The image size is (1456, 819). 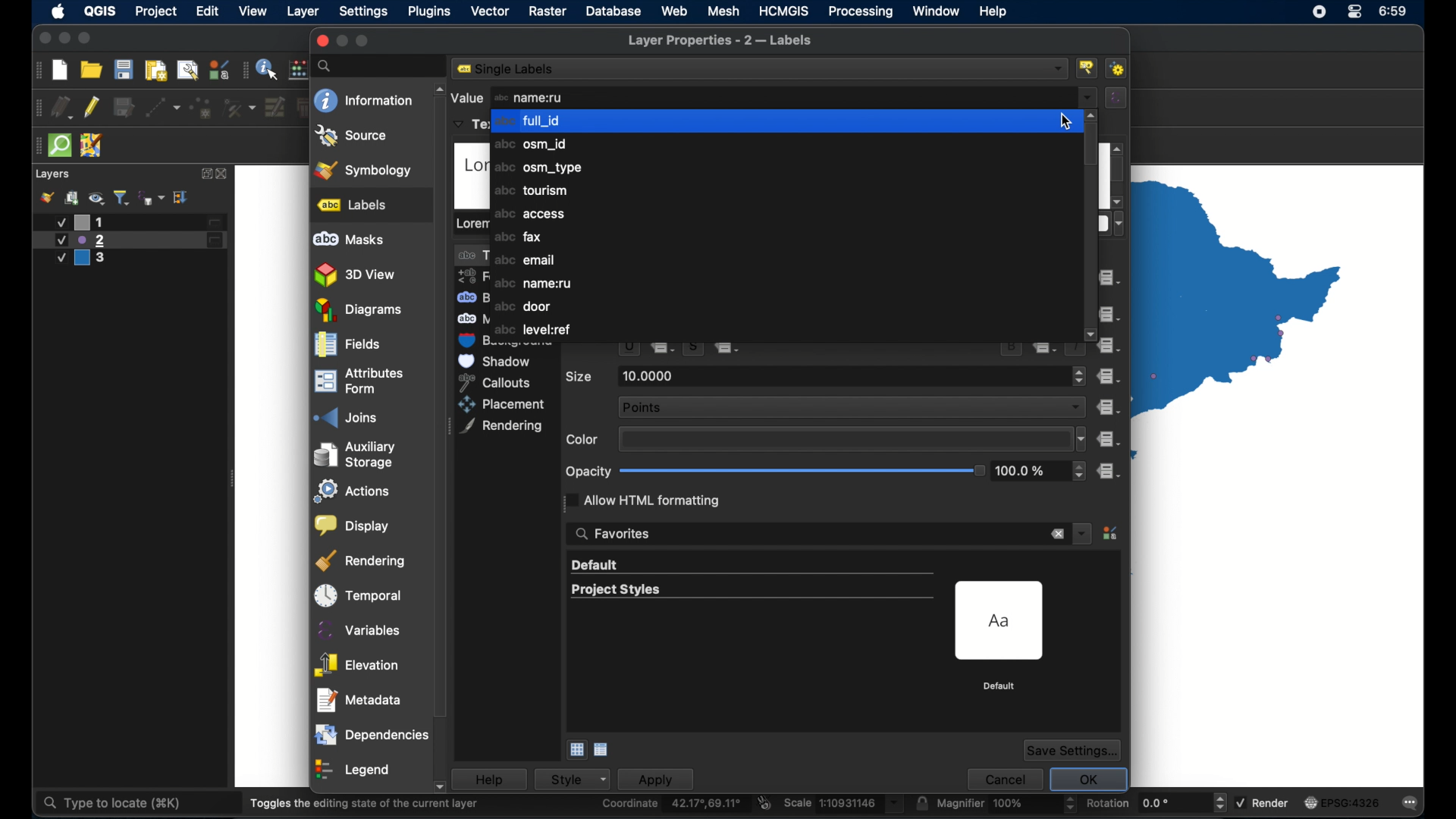 I want to click on manage map theme, so click(x=96, y=198).